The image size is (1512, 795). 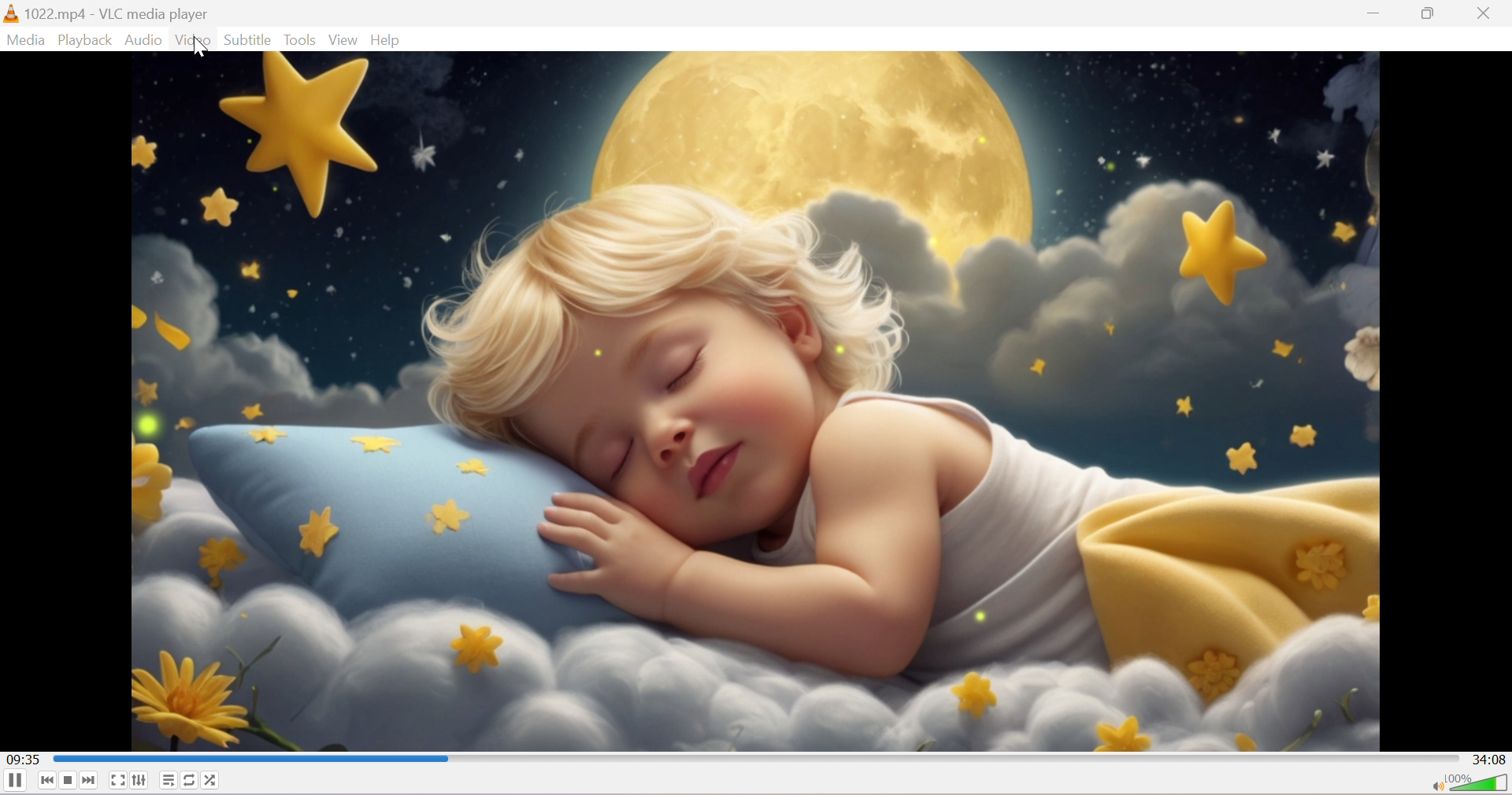 What do you see at coordinates (340, 39) in the screenshot?
I see `View` at bounding box center [340, 39].